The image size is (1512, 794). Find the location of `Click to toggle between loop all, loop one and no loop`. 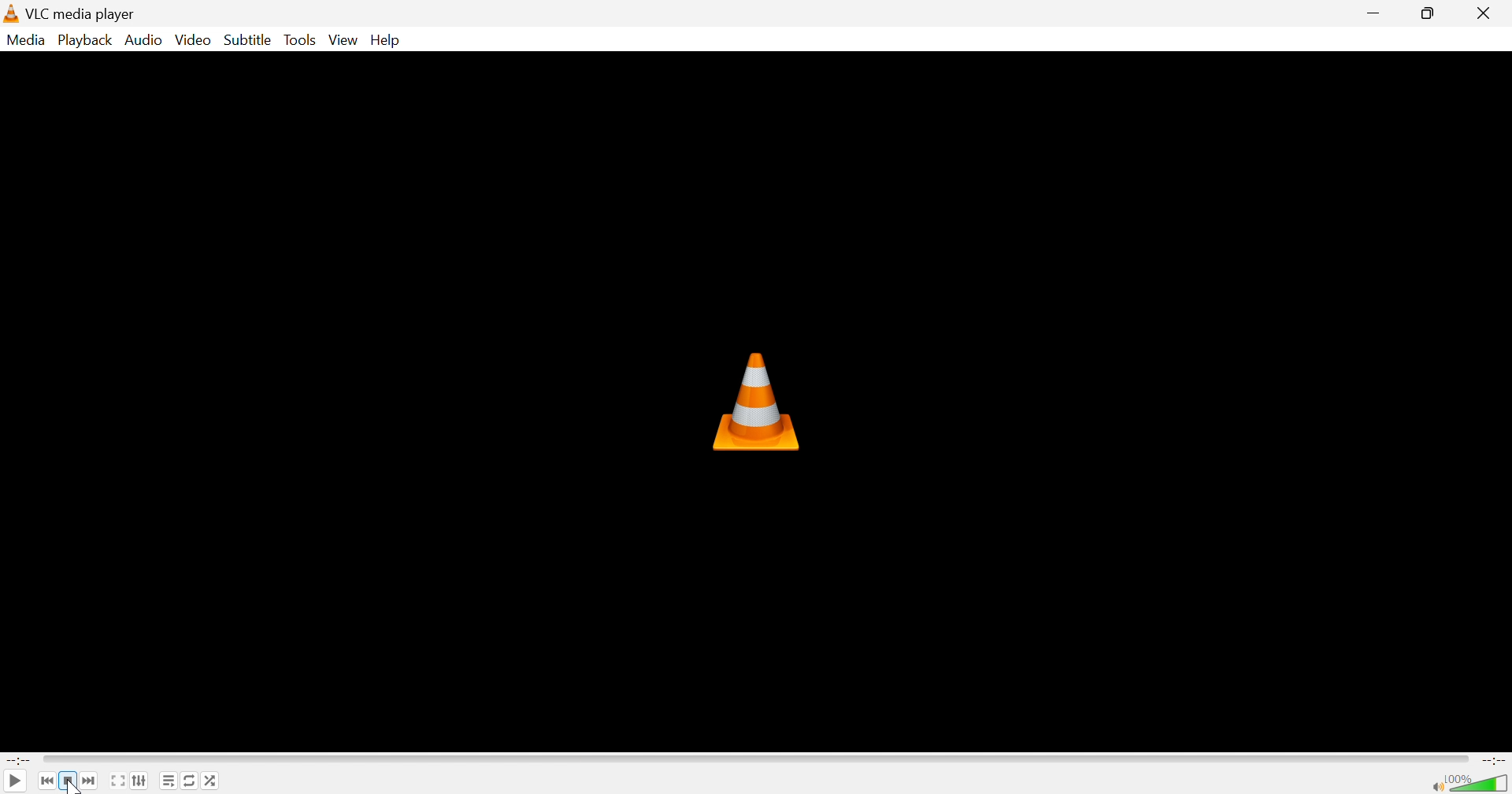

Click to toggle between loop all, loop one and no loop is located at coordinates (190, 780).